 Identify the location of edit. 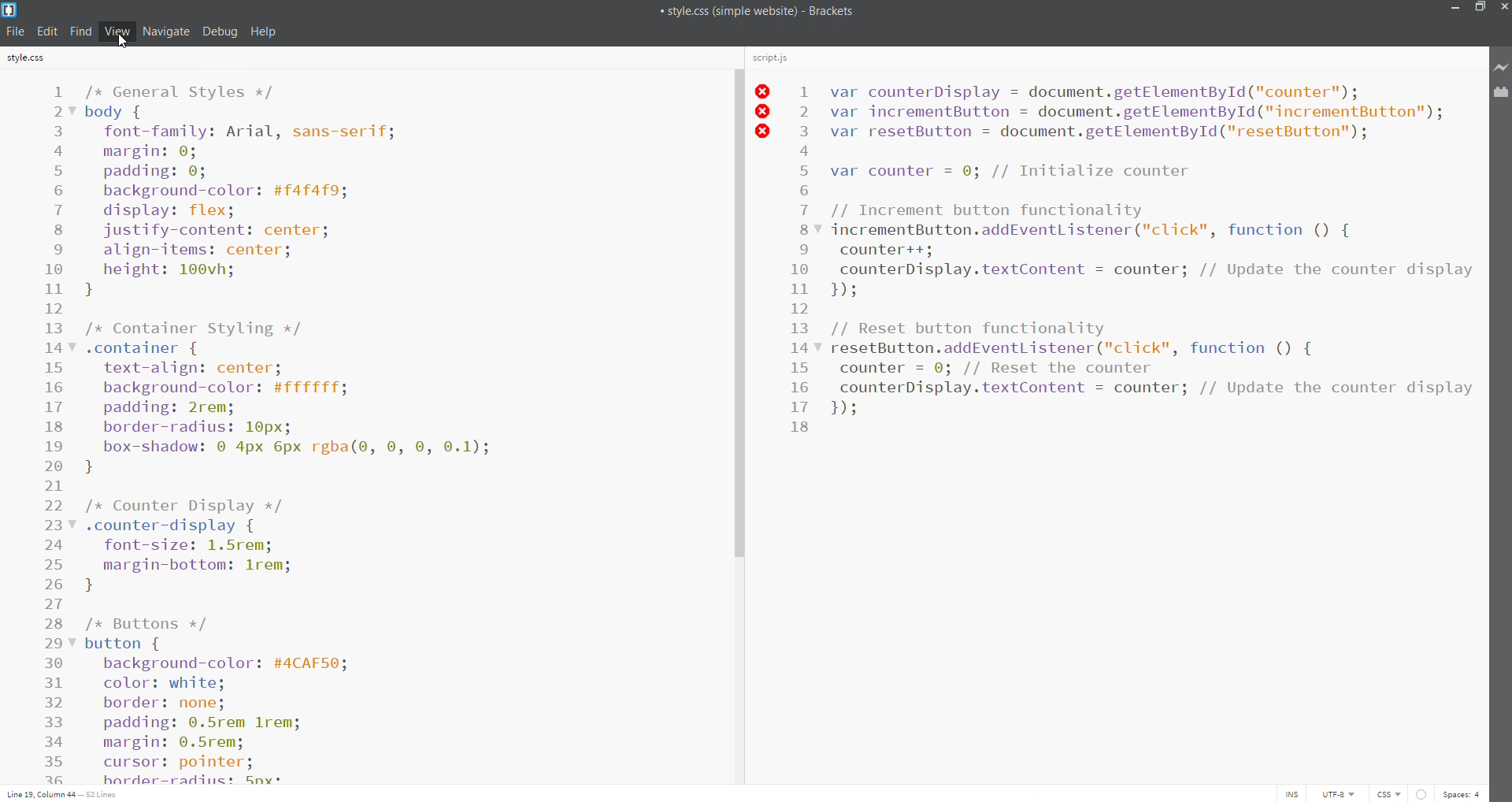
(47, 29).